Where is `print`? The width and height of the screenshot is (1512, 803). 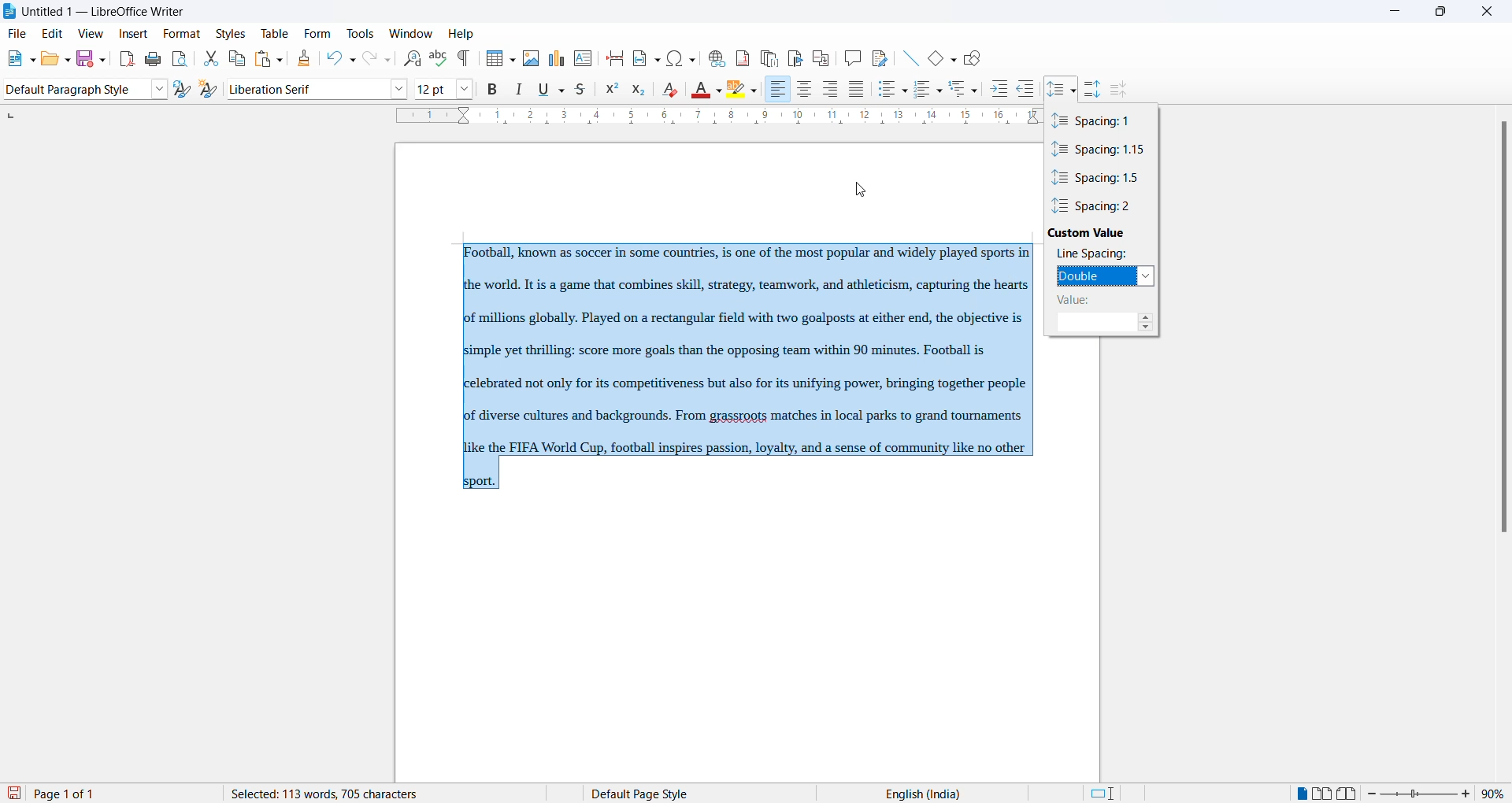
print is located at coordinates (154, 58).